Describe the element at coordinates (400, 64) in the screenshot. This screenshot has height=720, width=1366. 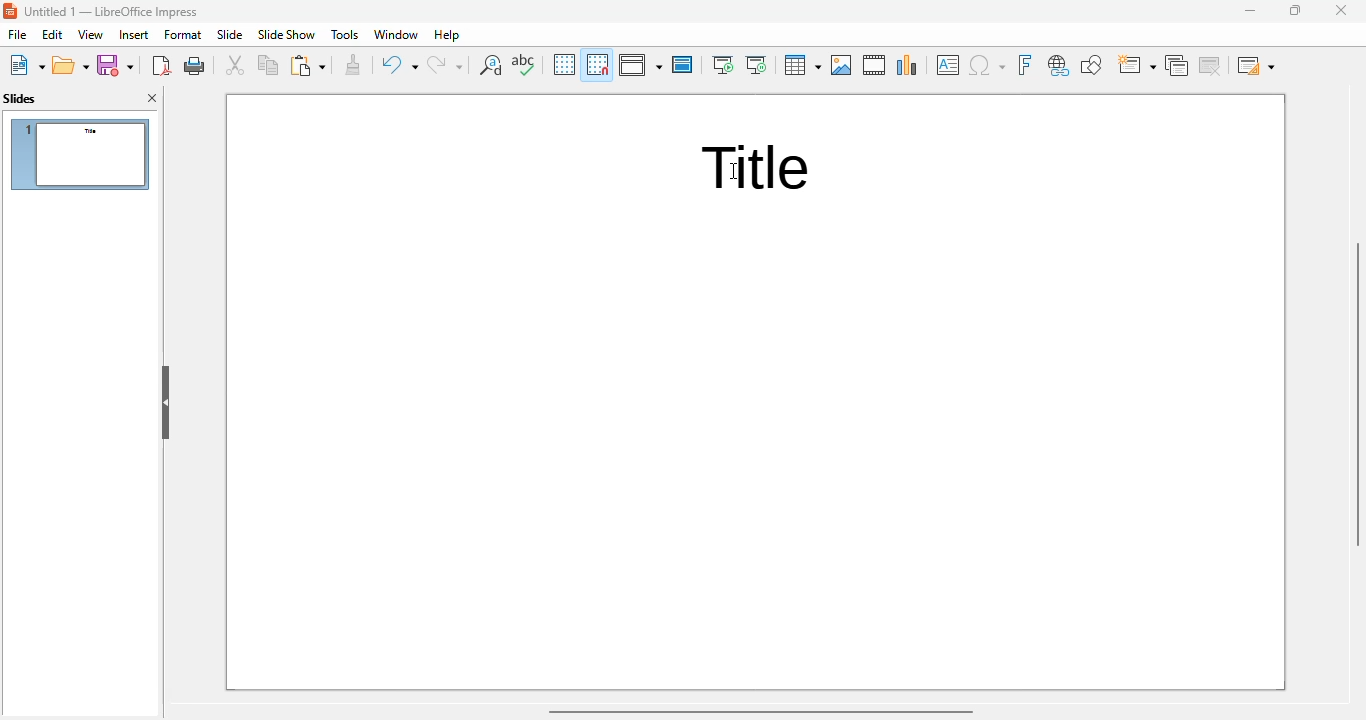
I see `undo` at that location.